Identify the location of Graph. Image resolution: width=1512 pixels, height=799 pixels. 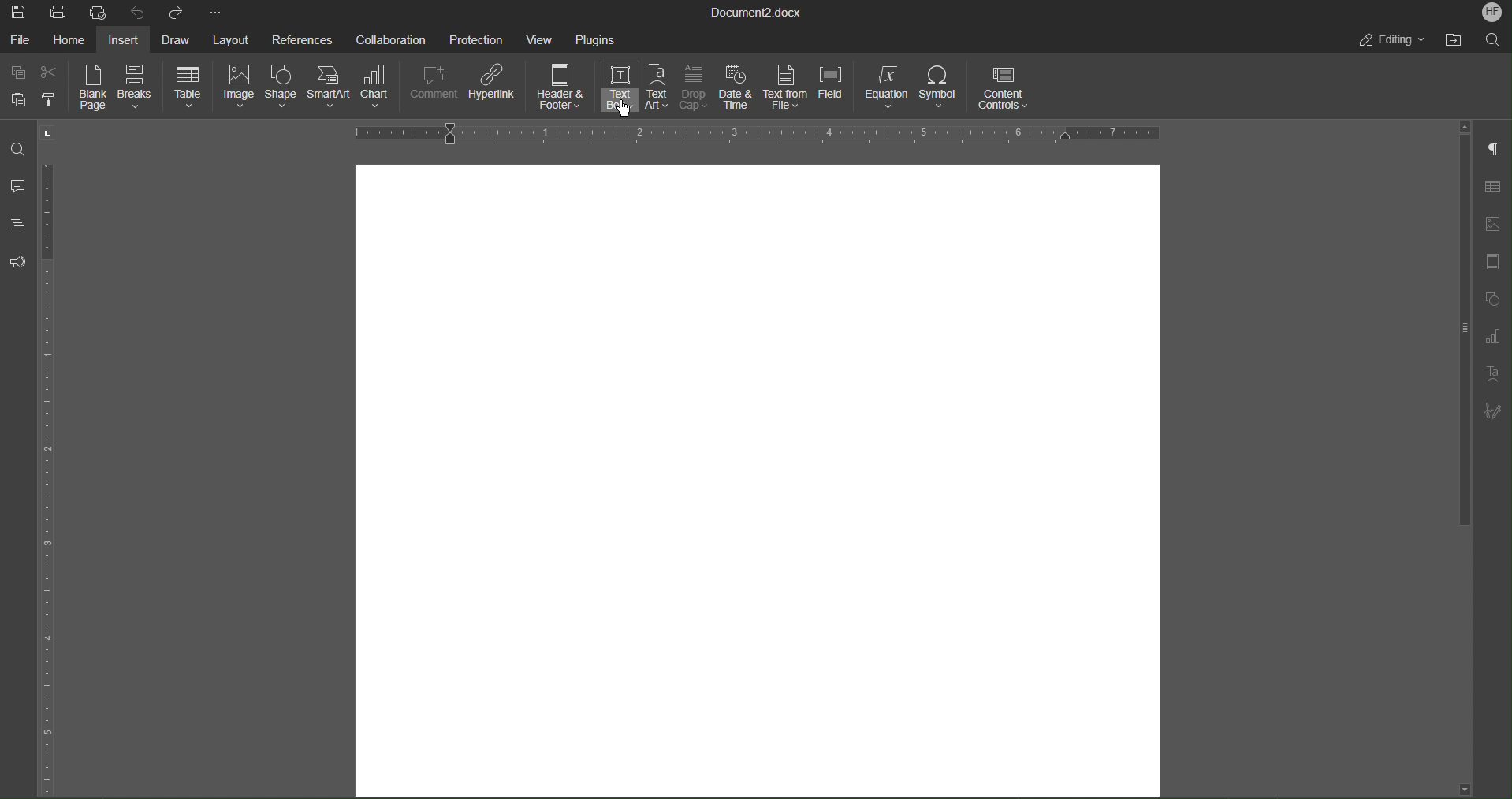
(1492, 336).